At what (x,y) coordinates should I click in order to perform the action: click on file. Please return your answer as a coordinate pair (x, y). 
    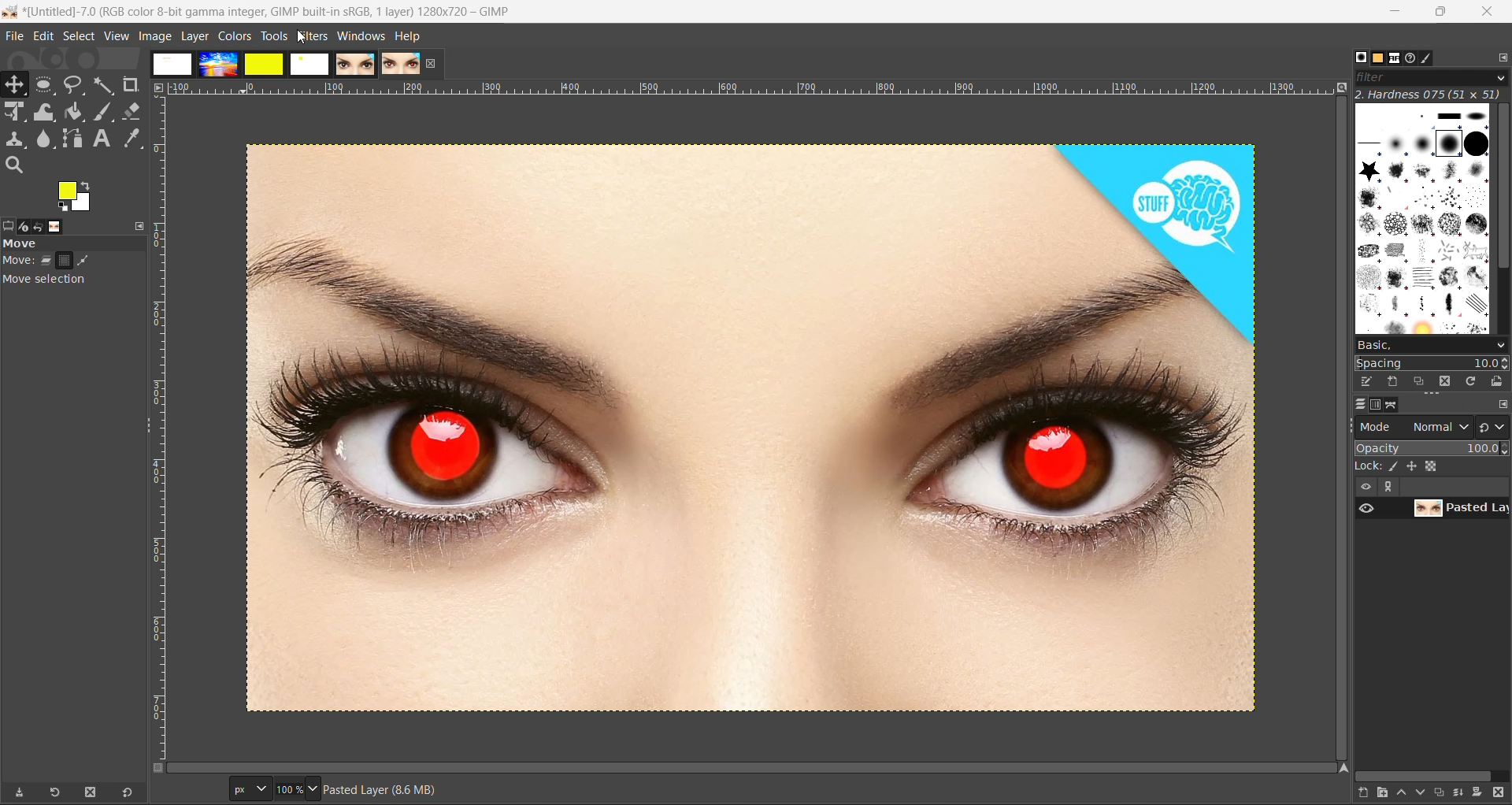
    Looking at the image, I should click on (11, 36).